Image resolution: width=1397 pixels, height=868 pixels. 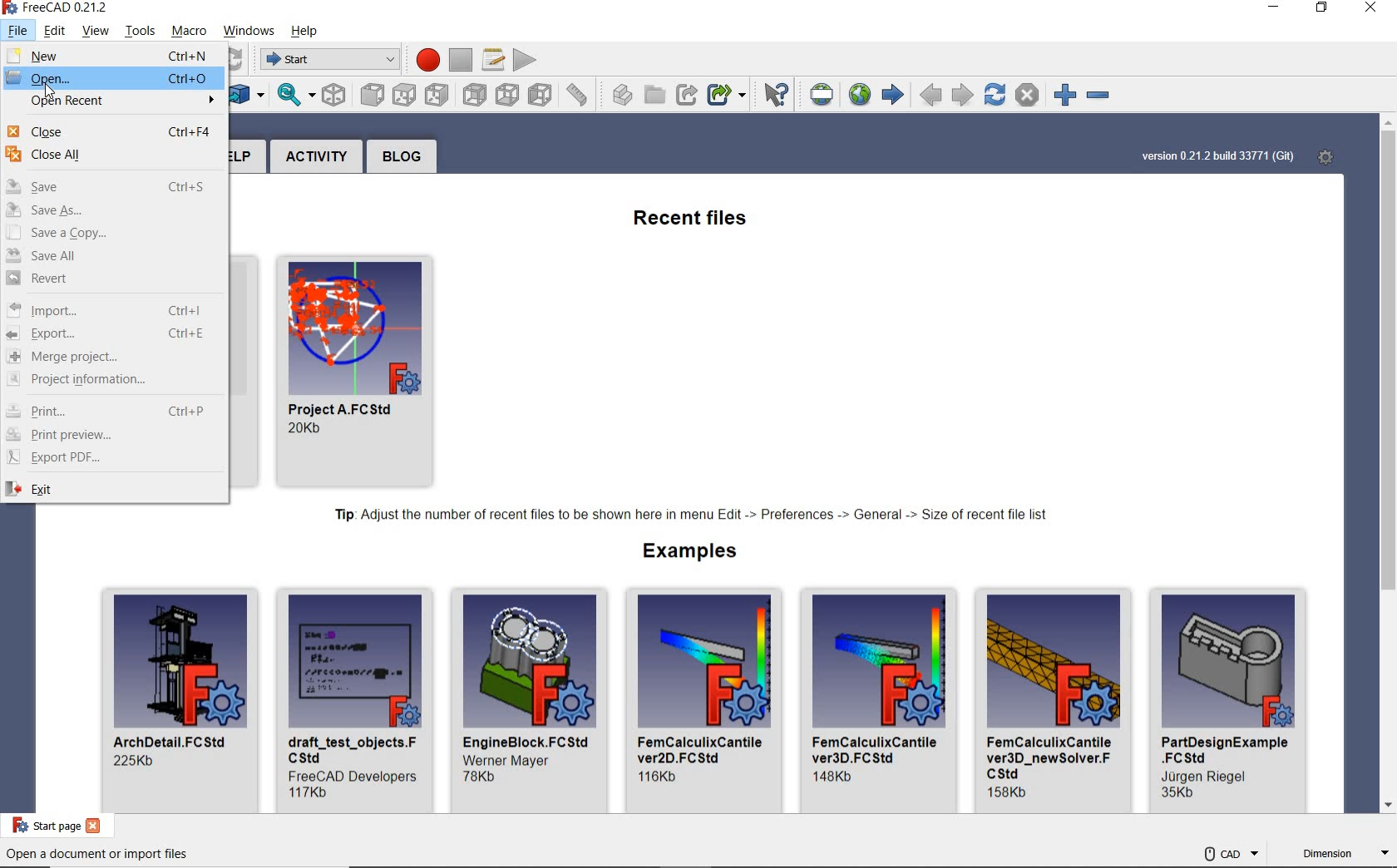 I want to click on Ctrl+N, so click(x=190, y=56).